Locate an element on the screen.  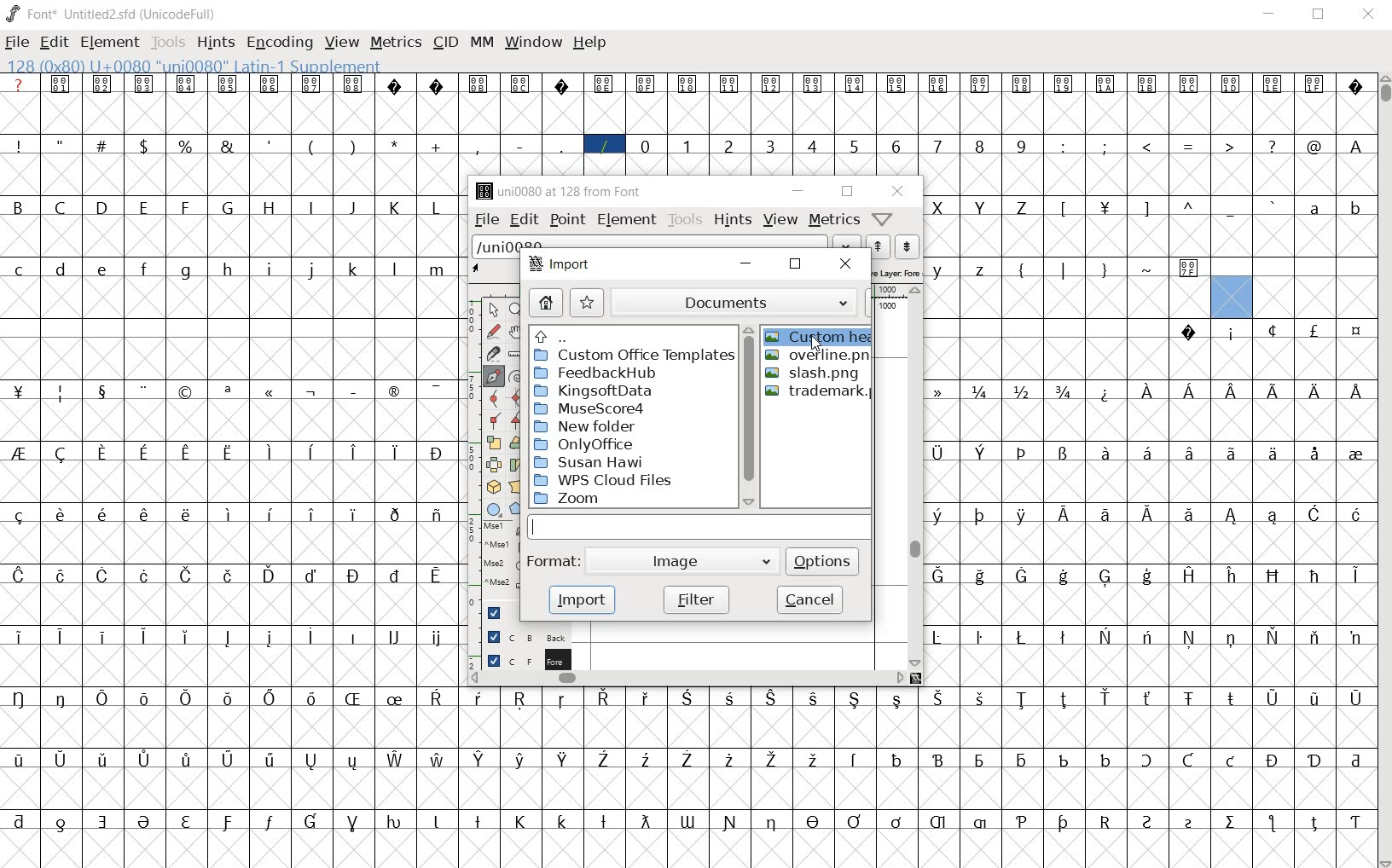
glyph is located at coordinates (645, 84).